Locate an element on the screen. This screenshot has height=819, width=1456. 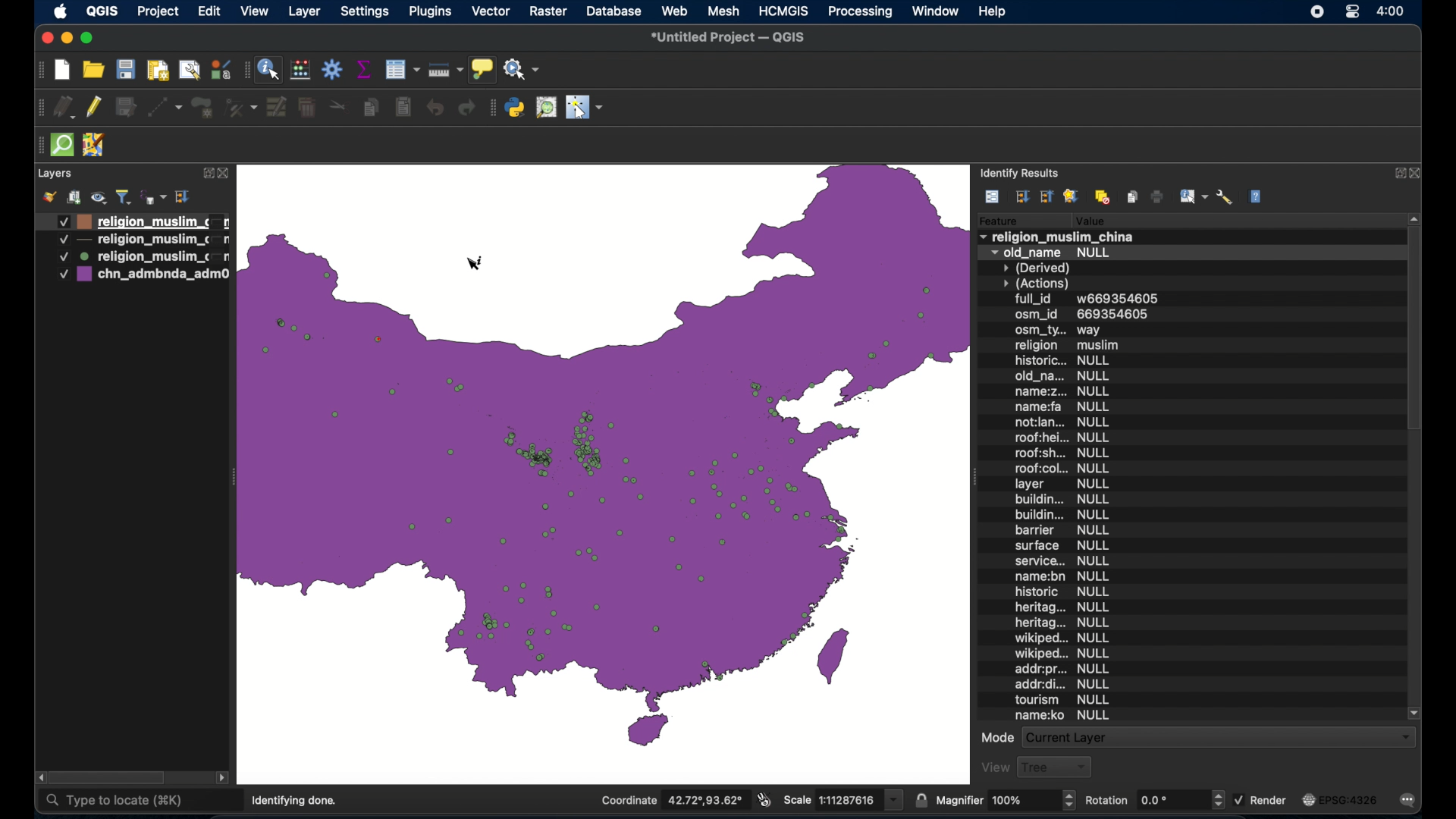
open layout manager is located at coordinates (188, 70).